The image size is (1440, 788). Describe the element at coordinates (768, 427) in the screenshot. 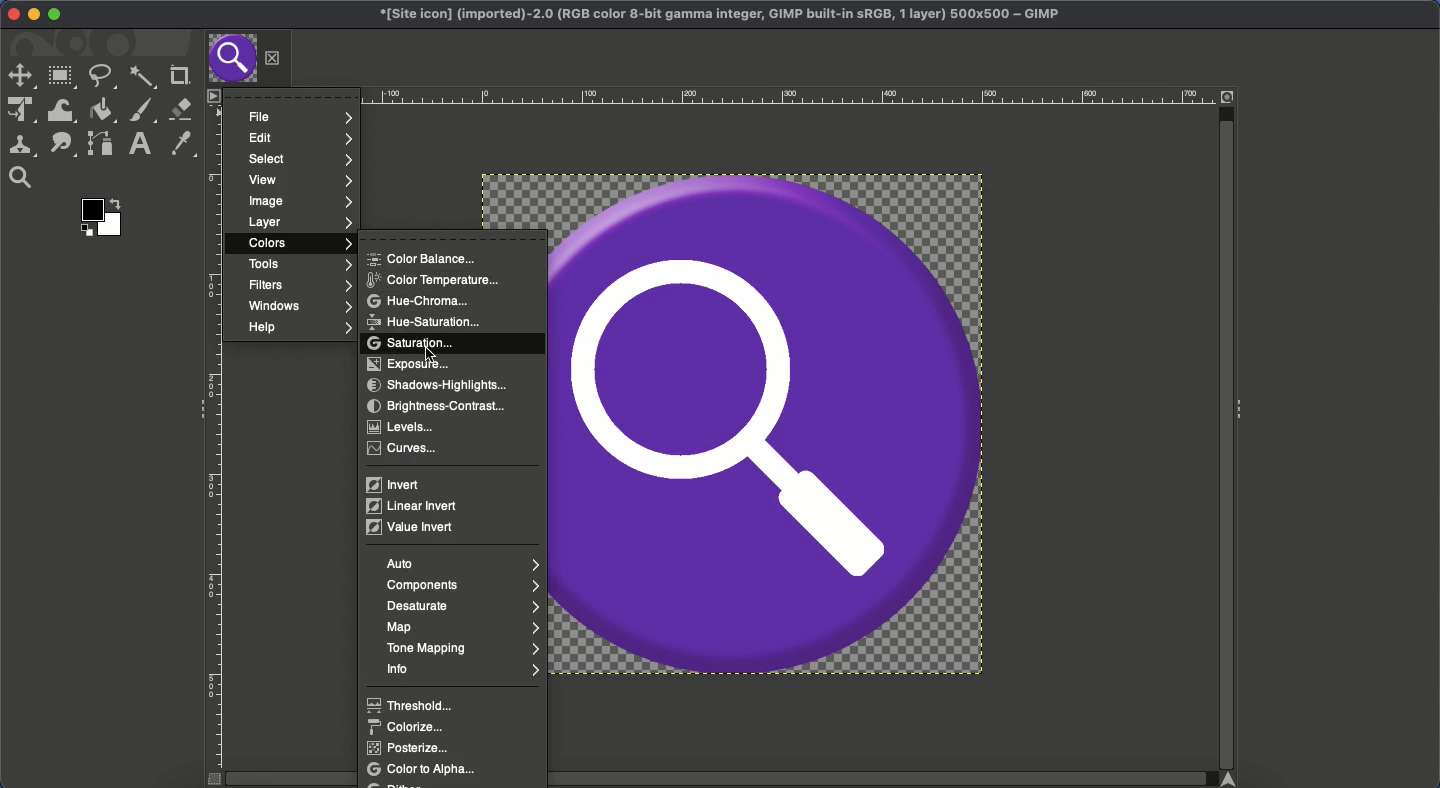

I see `Image` at that location.